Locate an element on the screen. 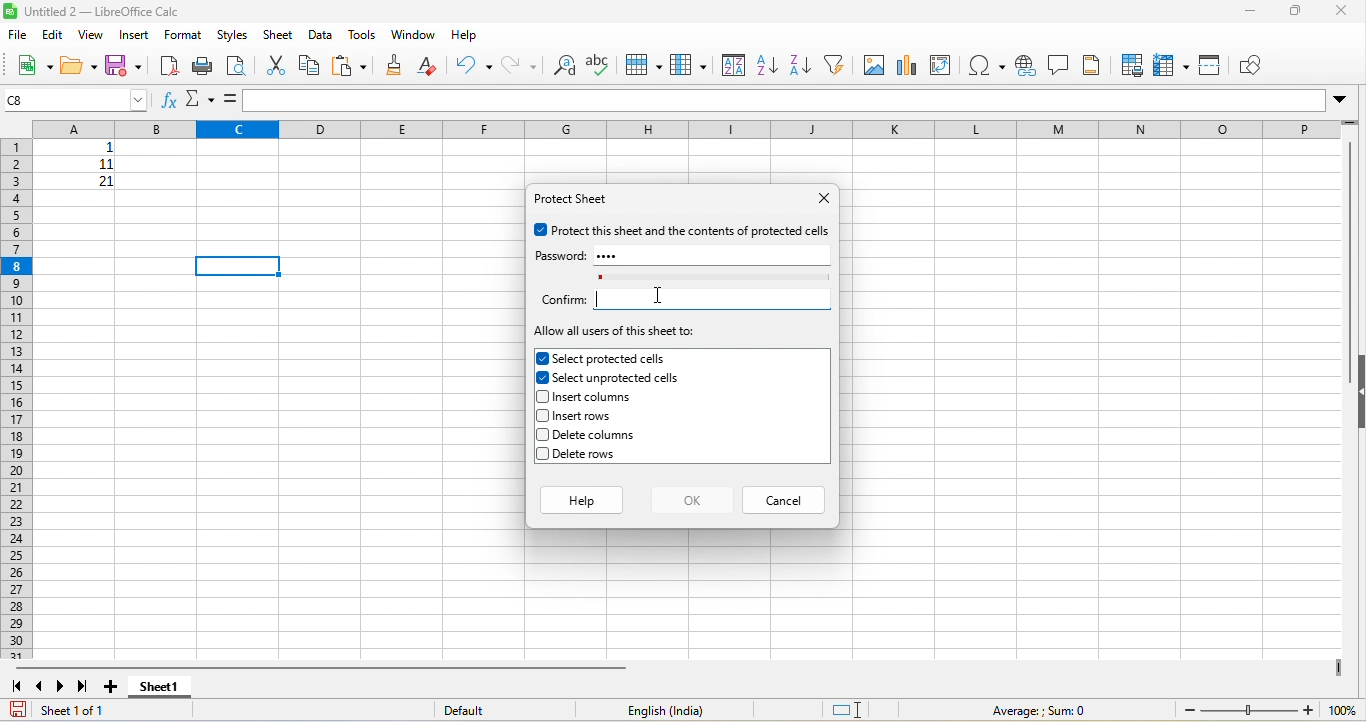 This screenshot has width=1366, height=722. show draw function is located at coordinates (1256, 67).